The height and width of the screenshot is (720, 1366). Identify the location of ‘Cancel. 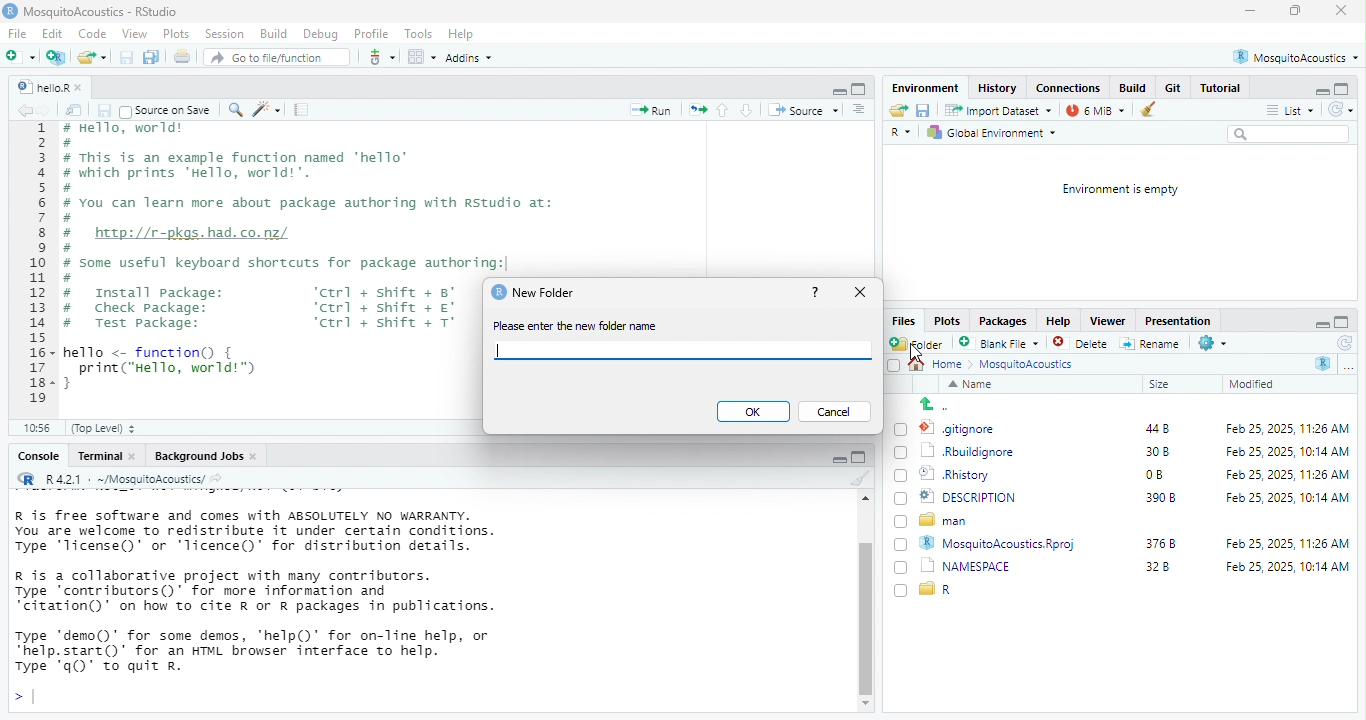
(833, 411).